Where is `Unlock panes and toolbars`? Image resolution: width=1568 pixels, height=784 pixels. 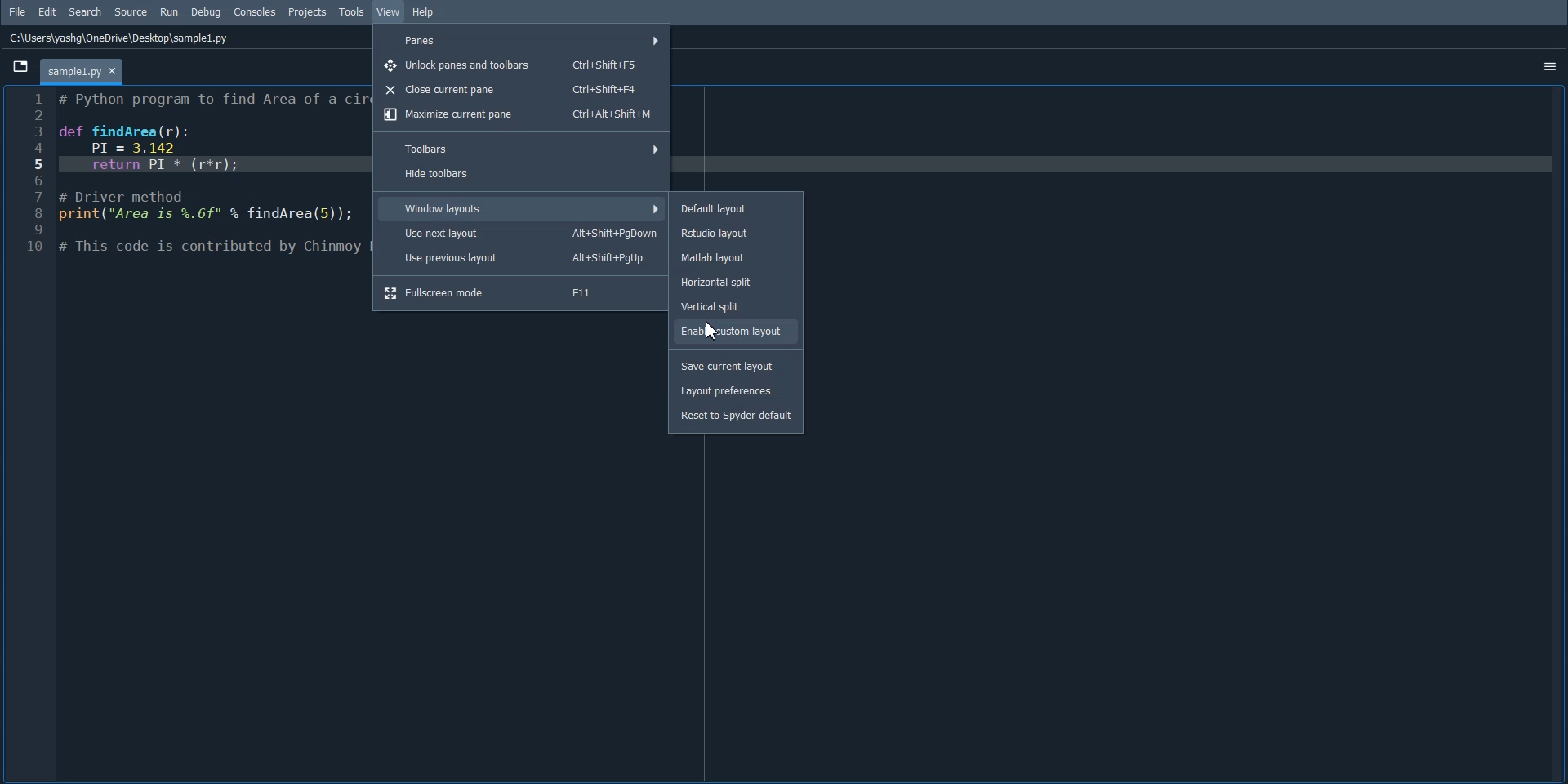 Unlock panes and toolbars is located at coordinates (519, 66).